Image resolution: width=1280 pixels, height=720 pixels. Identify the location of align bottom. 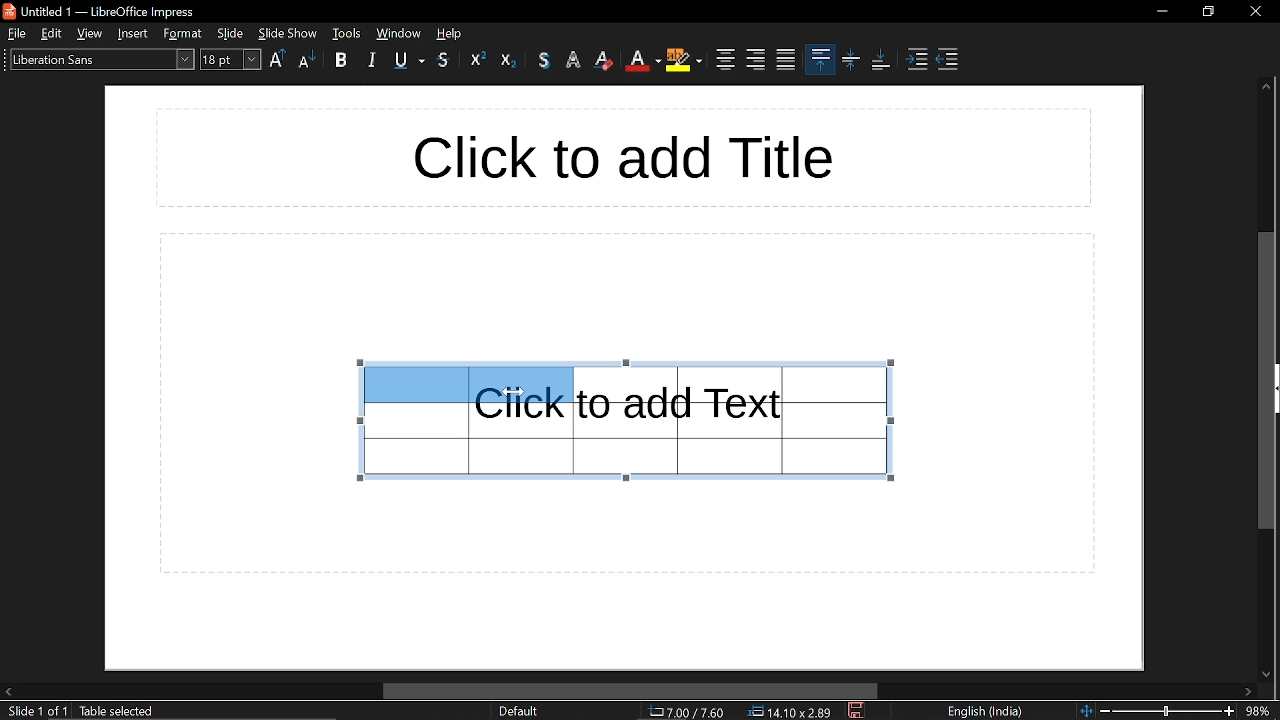
(880, 60).